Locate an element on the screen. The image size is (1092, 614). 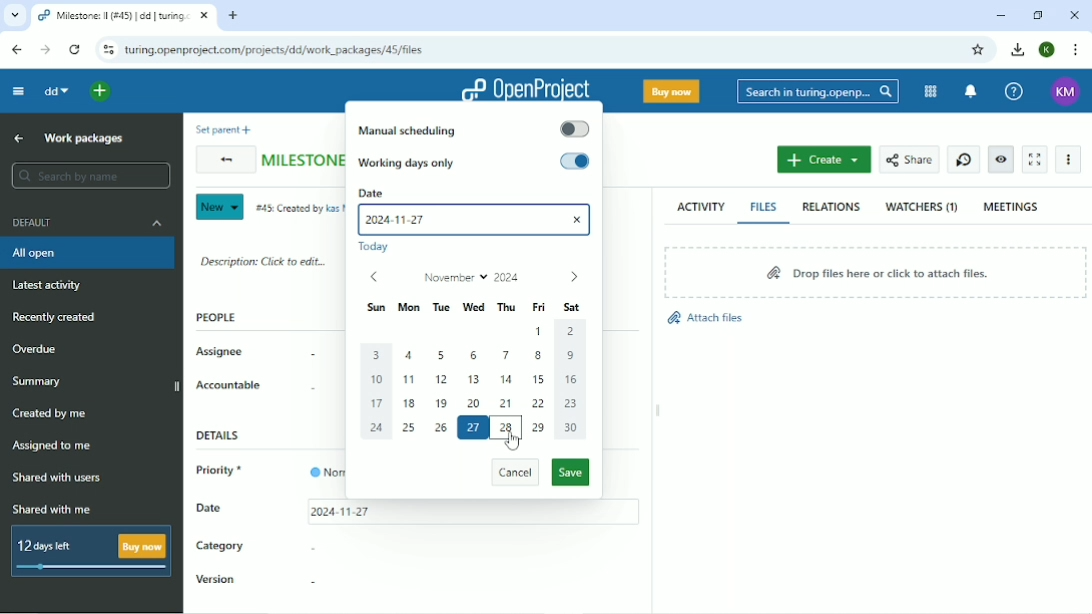
Assignee is located at coordinates (221, 352).